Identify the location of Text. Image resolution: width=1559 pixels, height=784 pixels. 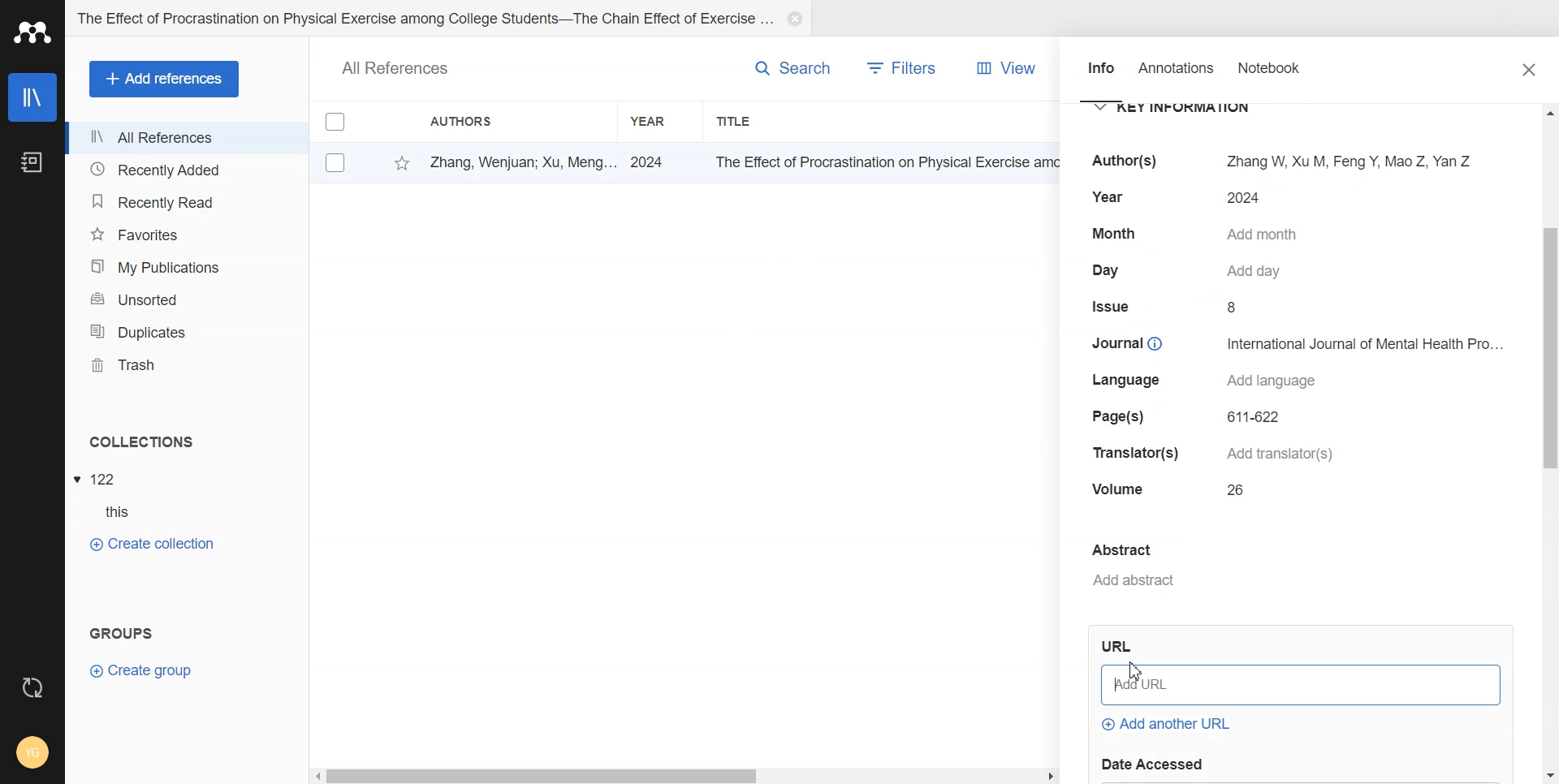
(396, 67).